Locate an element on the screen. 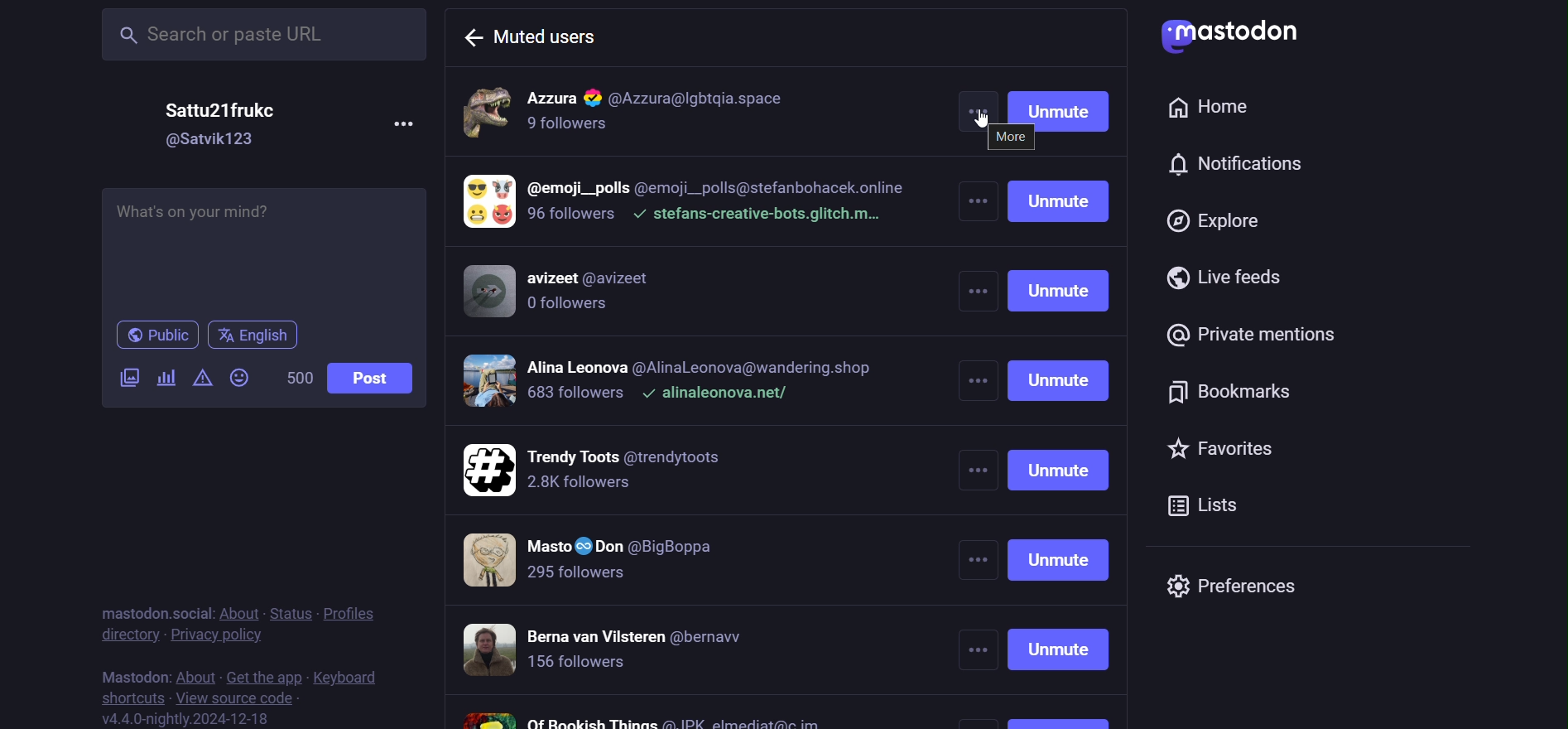 The image size is (1568, 729). about is located at coordinates (194, 671).